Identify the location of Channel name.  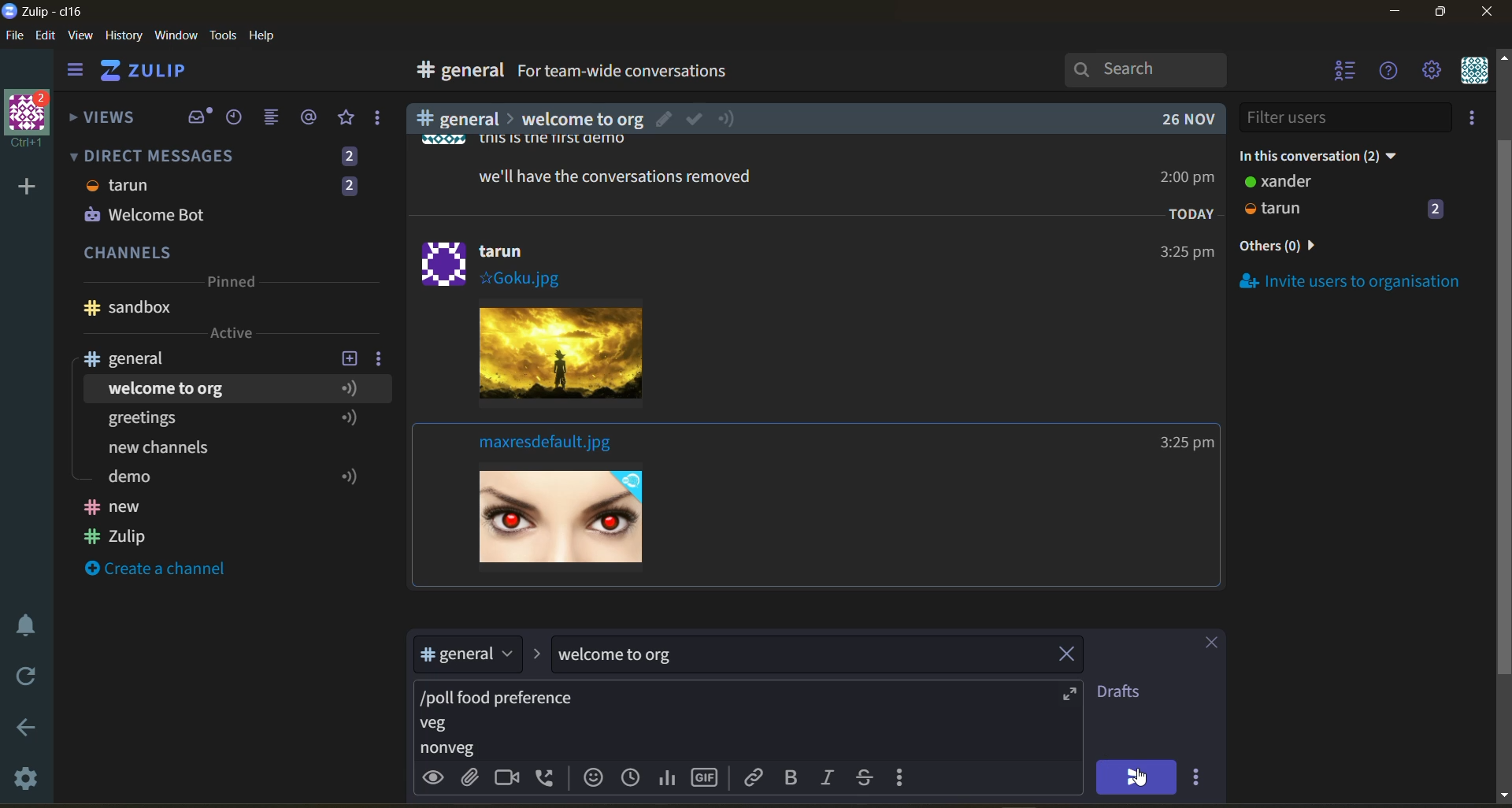
(128, 308).